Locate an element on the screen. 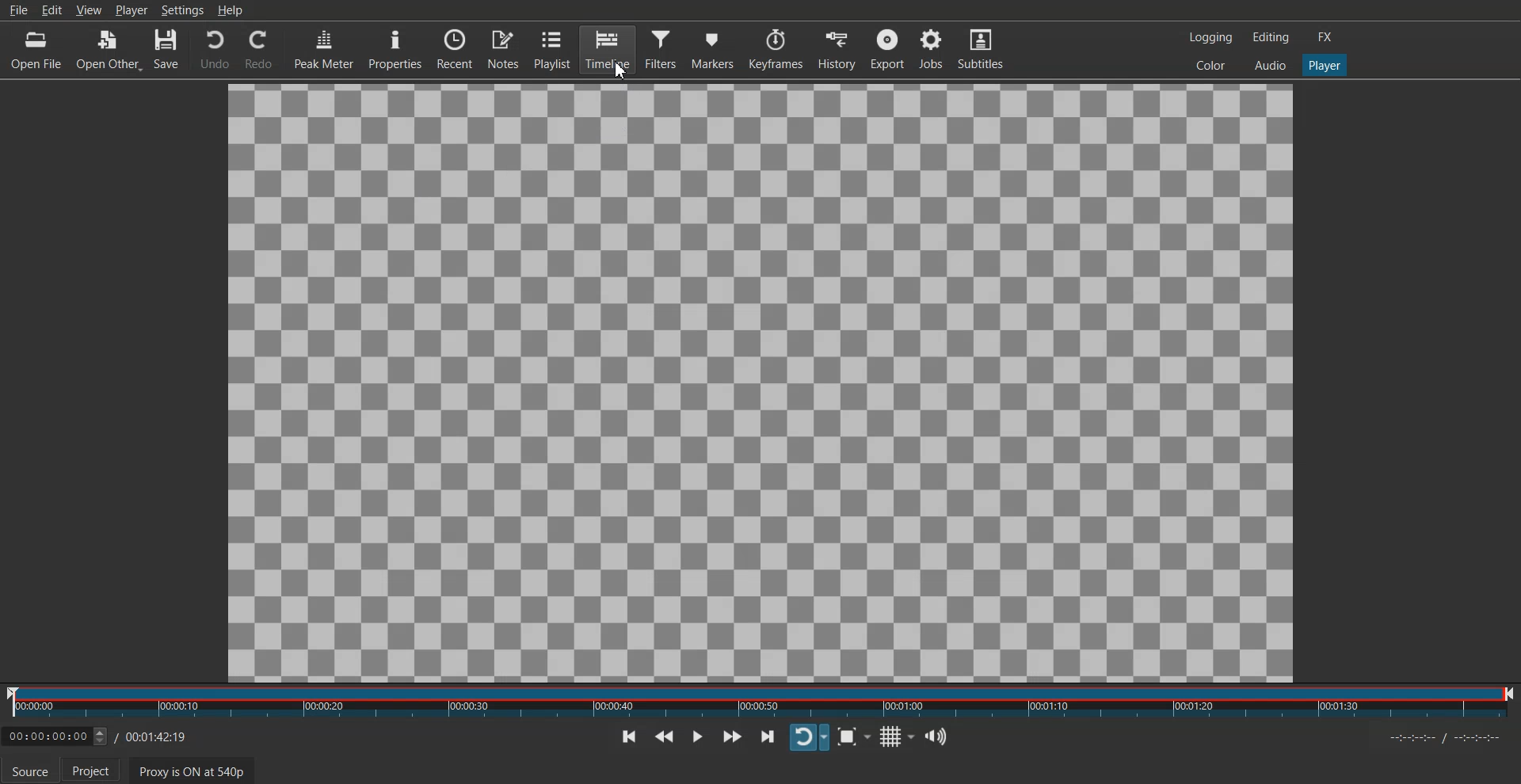  Slider is located at coordinates (760, 702).